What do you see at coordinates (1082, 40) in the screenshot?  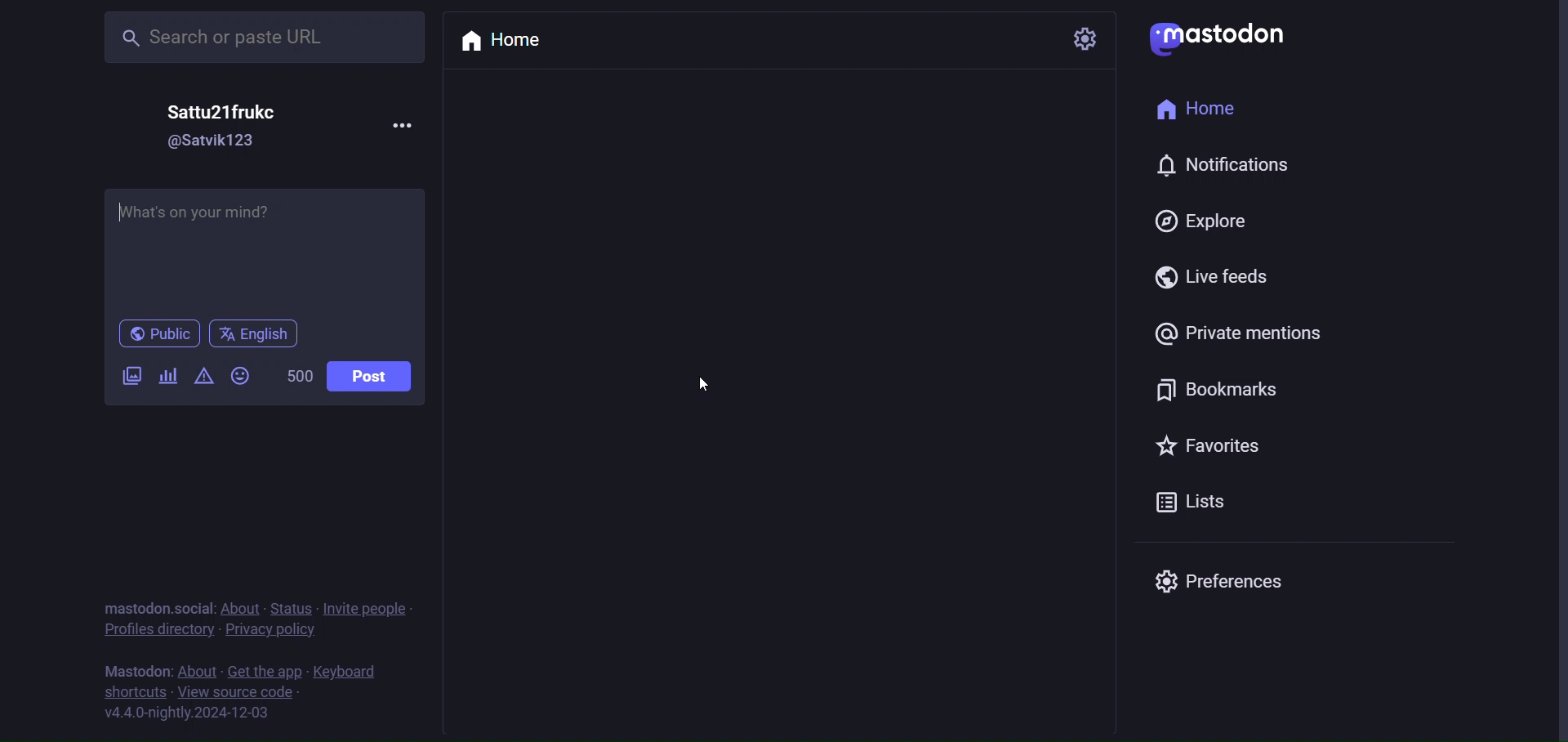 I see `setting` at bounding box center [1082, 40].